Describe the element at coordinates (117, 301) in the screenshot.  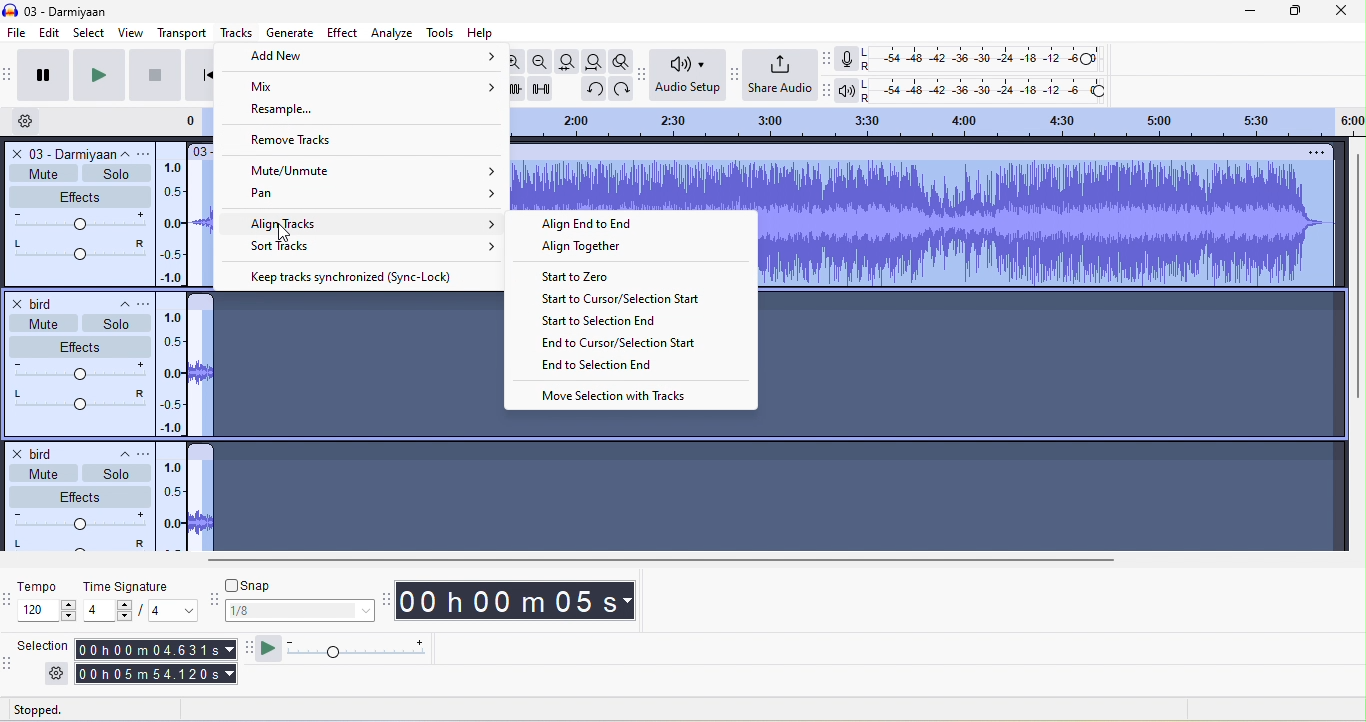
I see `collapse` at that location.